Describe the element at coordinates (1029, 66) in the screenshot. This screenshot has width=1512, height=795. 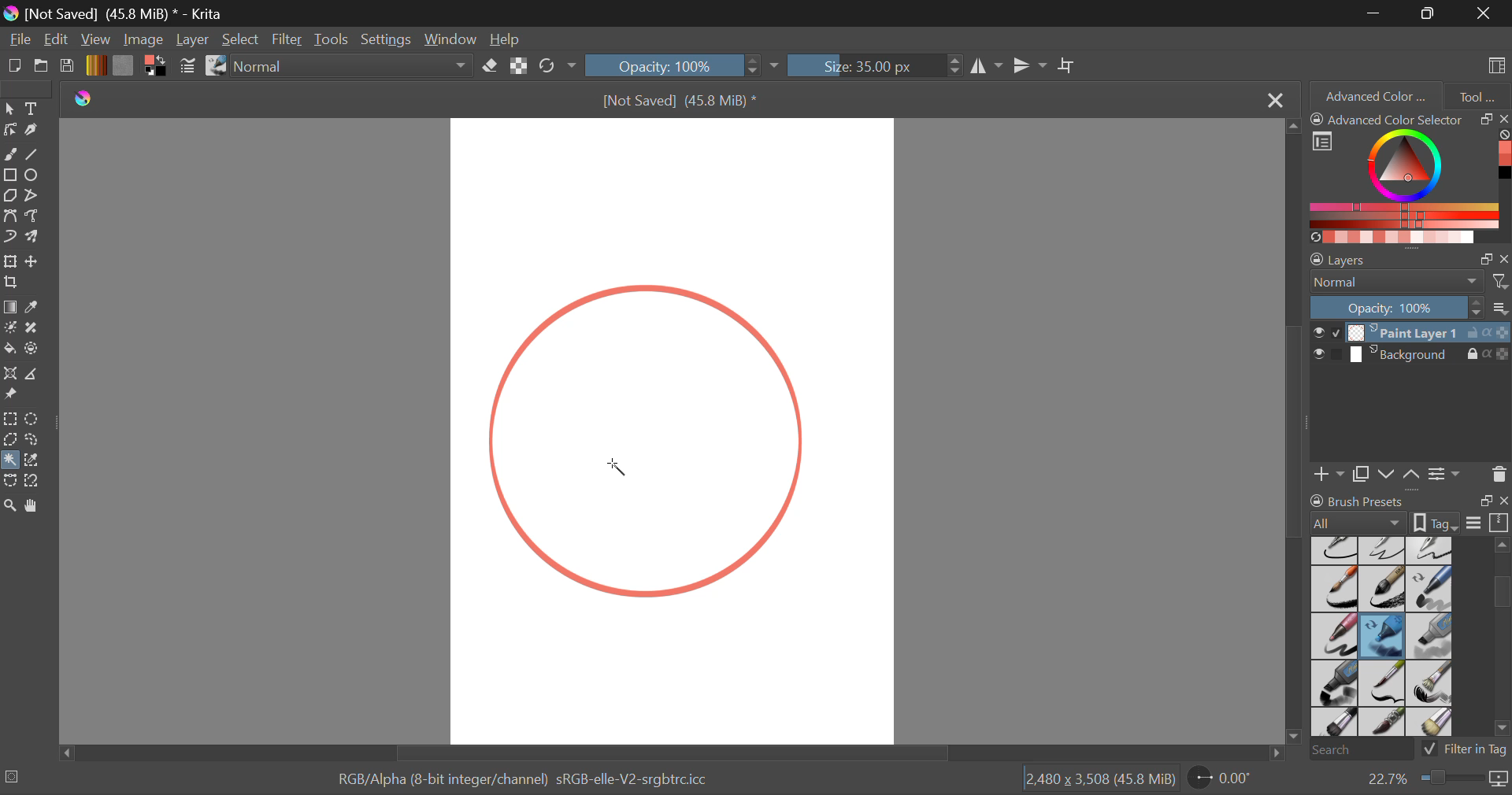
I see `Vertical Mirror Tool` at that location.